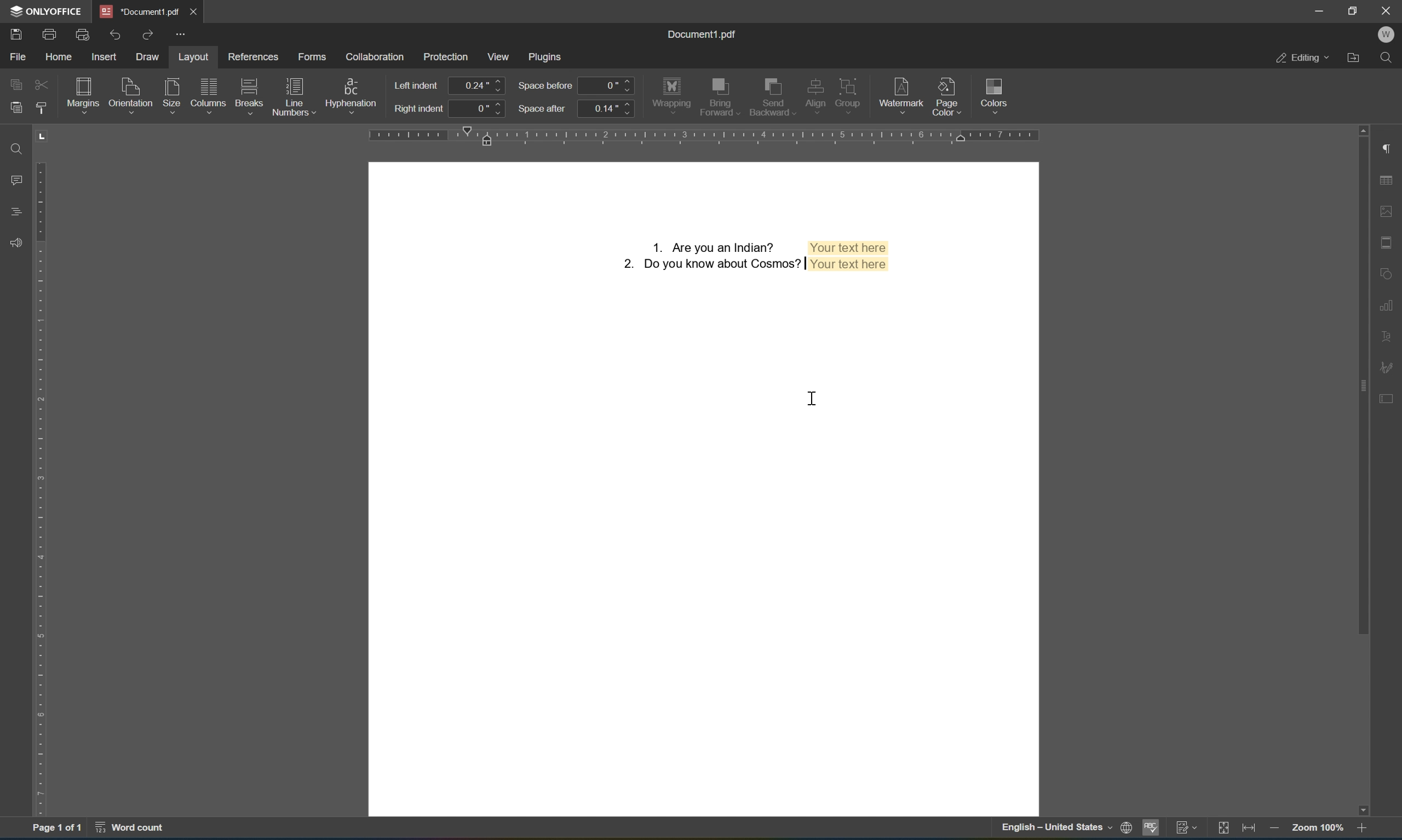  Describe the element at coordinates (1391, 212) in the screenshot. I see `image settings` at that location.